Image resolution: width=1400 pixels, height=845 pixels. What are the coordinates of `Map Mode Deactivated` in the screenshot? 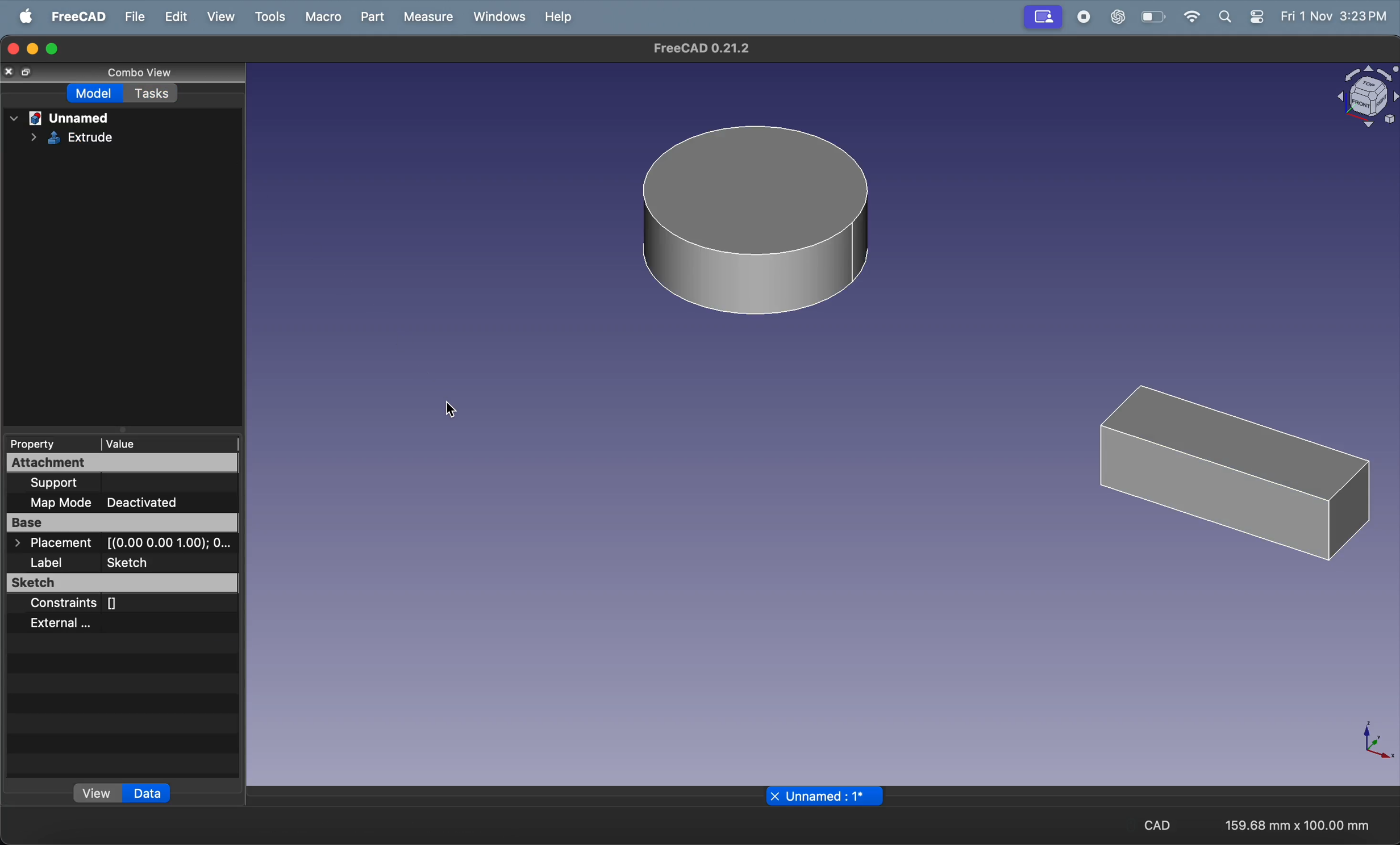 It's located at (122, 503).